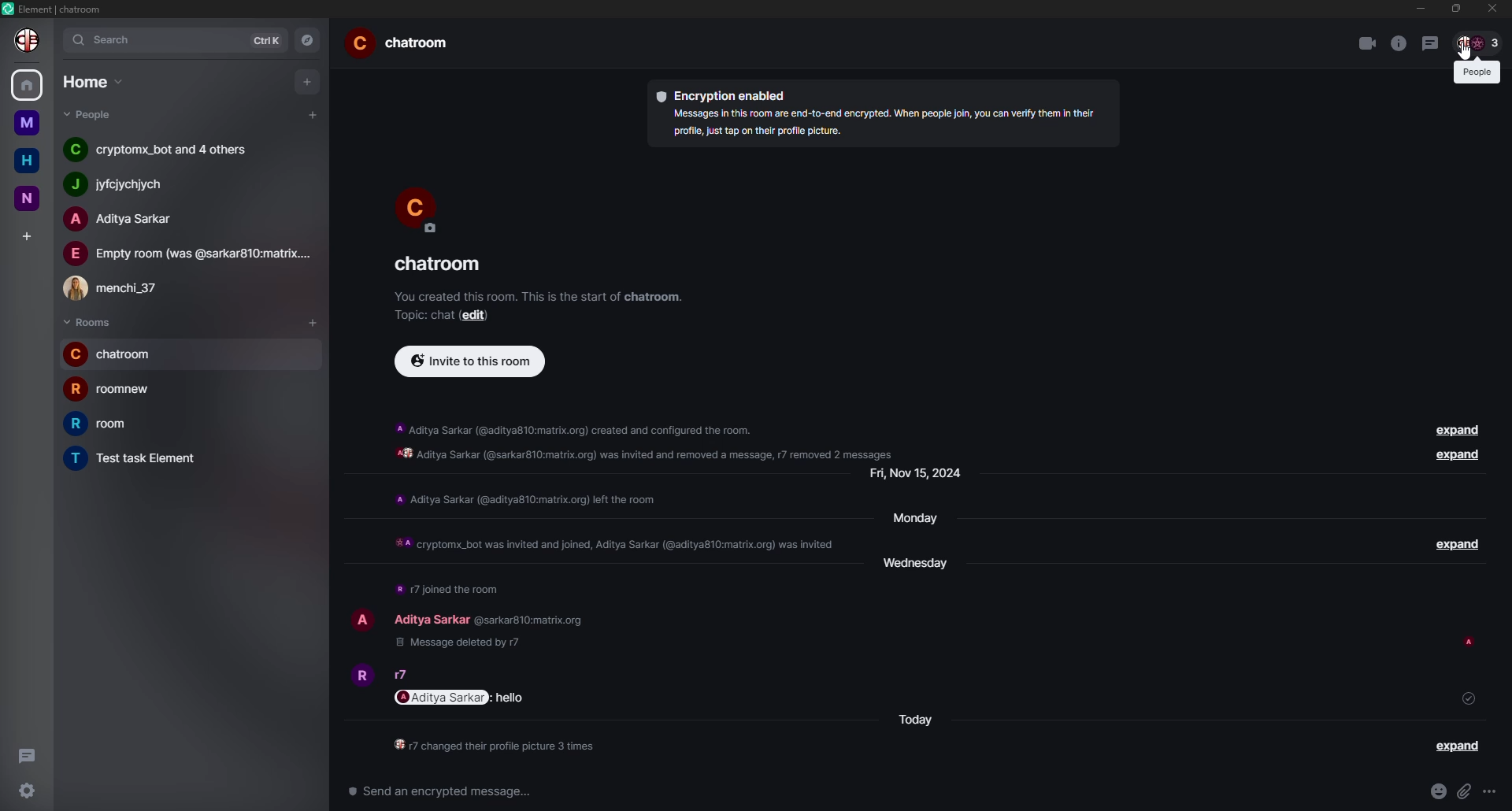  Describe the element at coordinates (1458, 543) in the screenshot. I see `expand` at that location.